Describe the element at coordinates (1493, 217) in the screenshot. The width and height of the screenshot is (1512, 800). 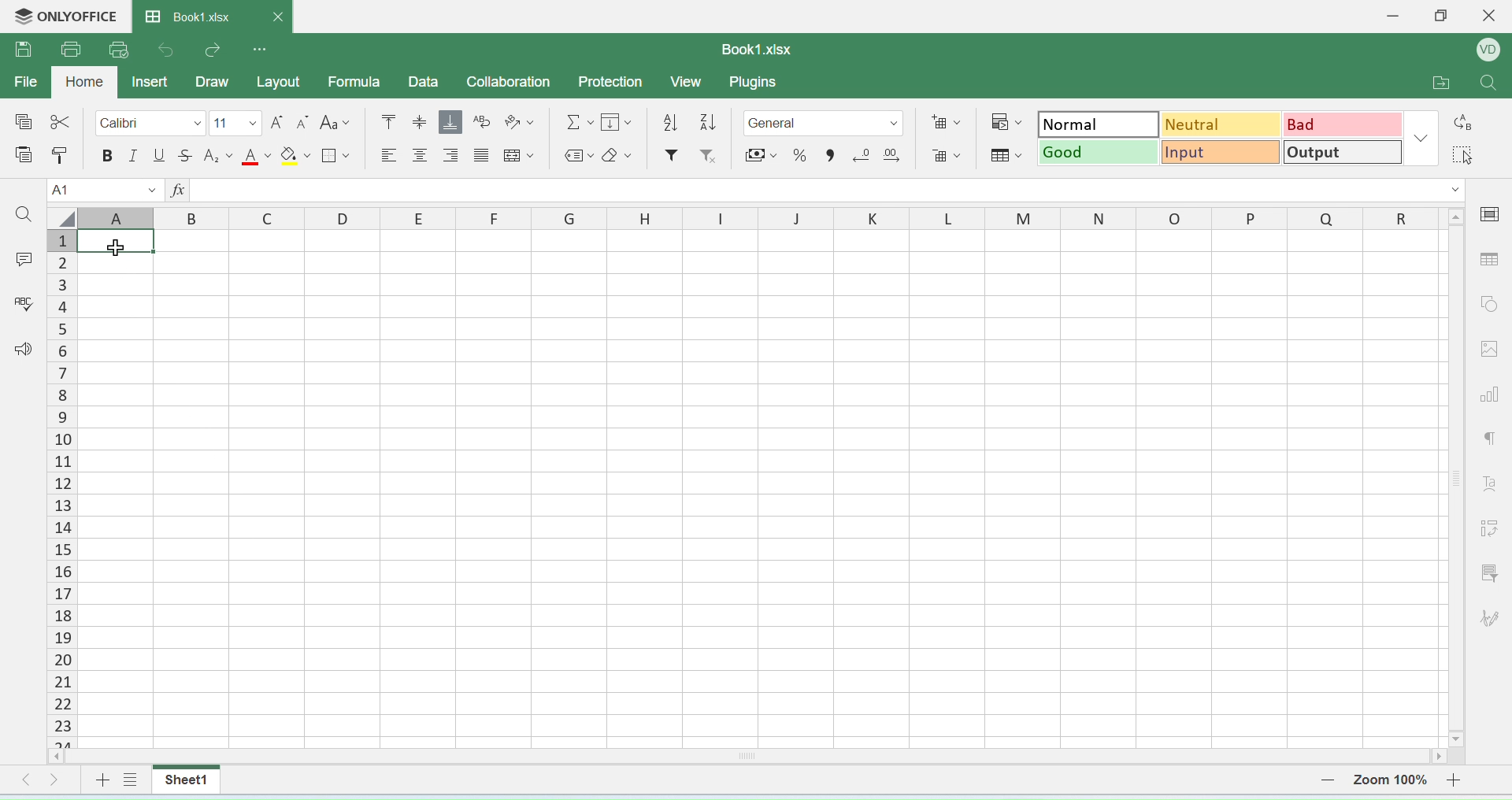
I see `cell settings` at that location.